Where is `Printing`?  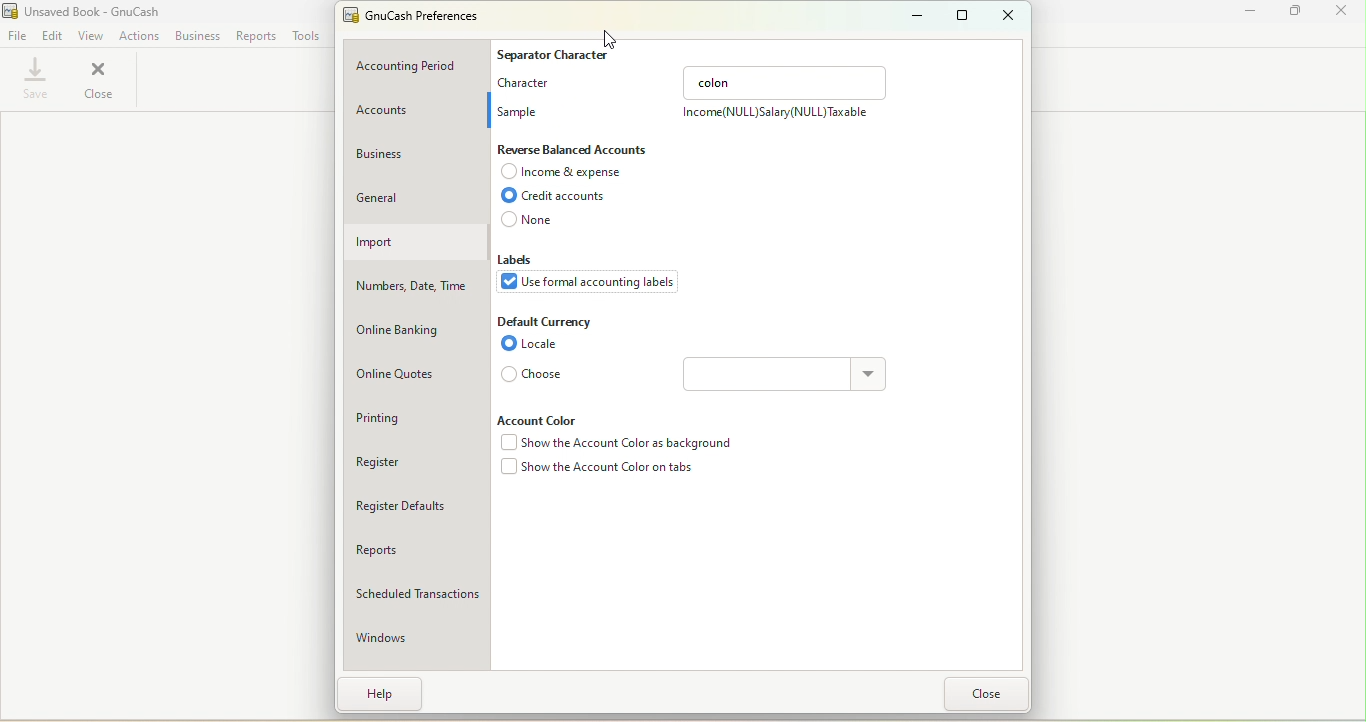 Printing is located at coordinates (409, 417).